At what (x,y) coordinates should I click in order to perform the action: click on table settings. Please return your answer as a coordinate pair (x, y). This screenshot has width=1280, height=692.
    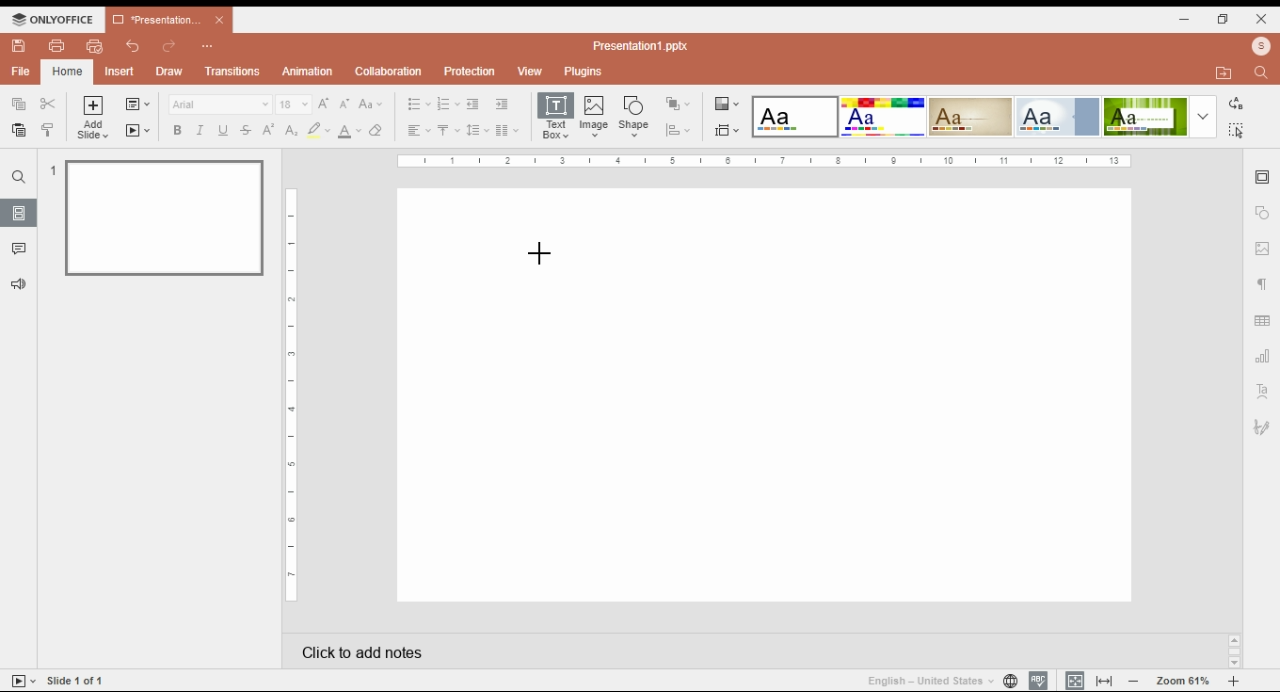
    Looking at the image, I should click on (1264, 322).